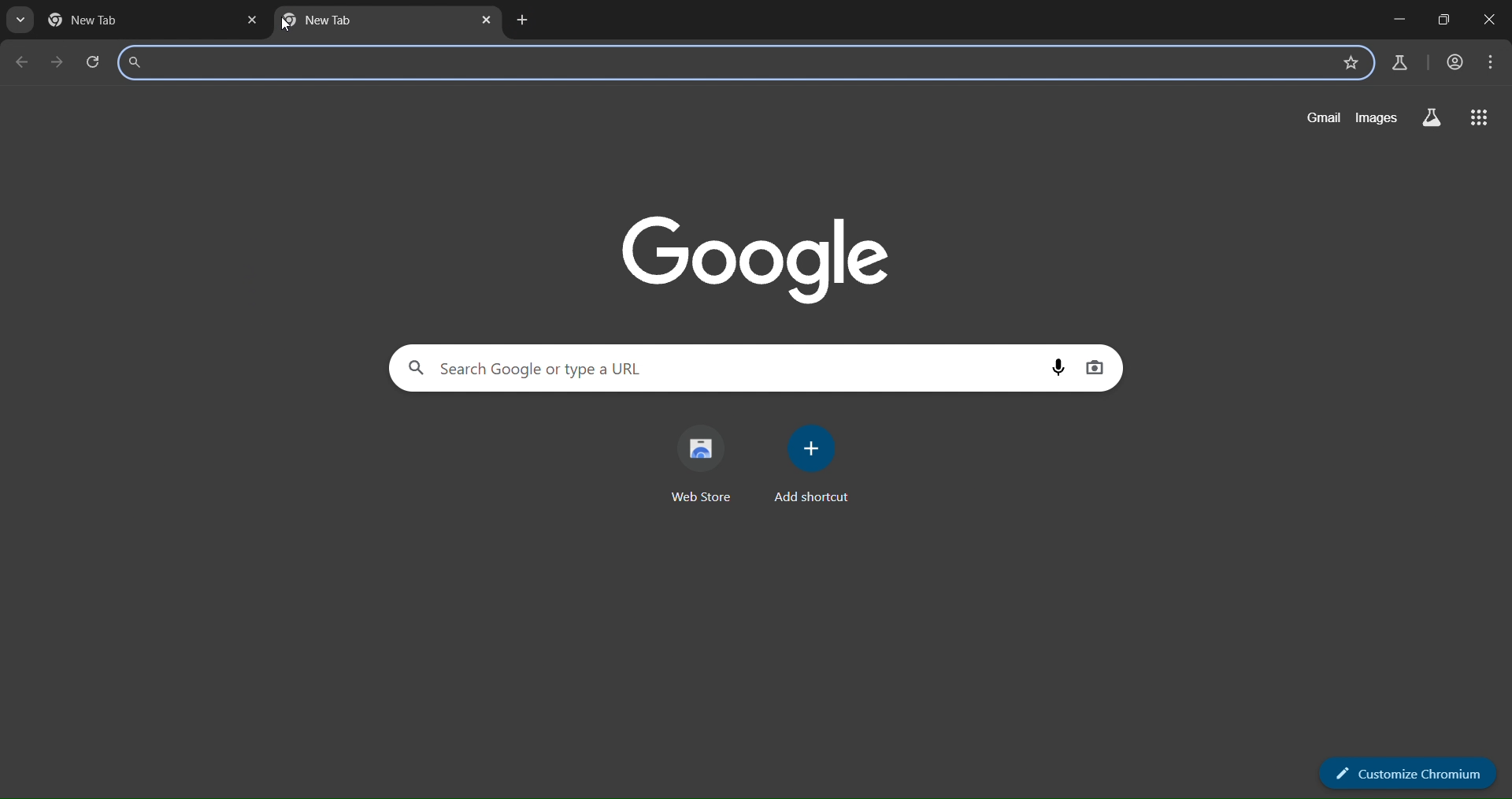  I want to click on go back one page, so click(24, 63).